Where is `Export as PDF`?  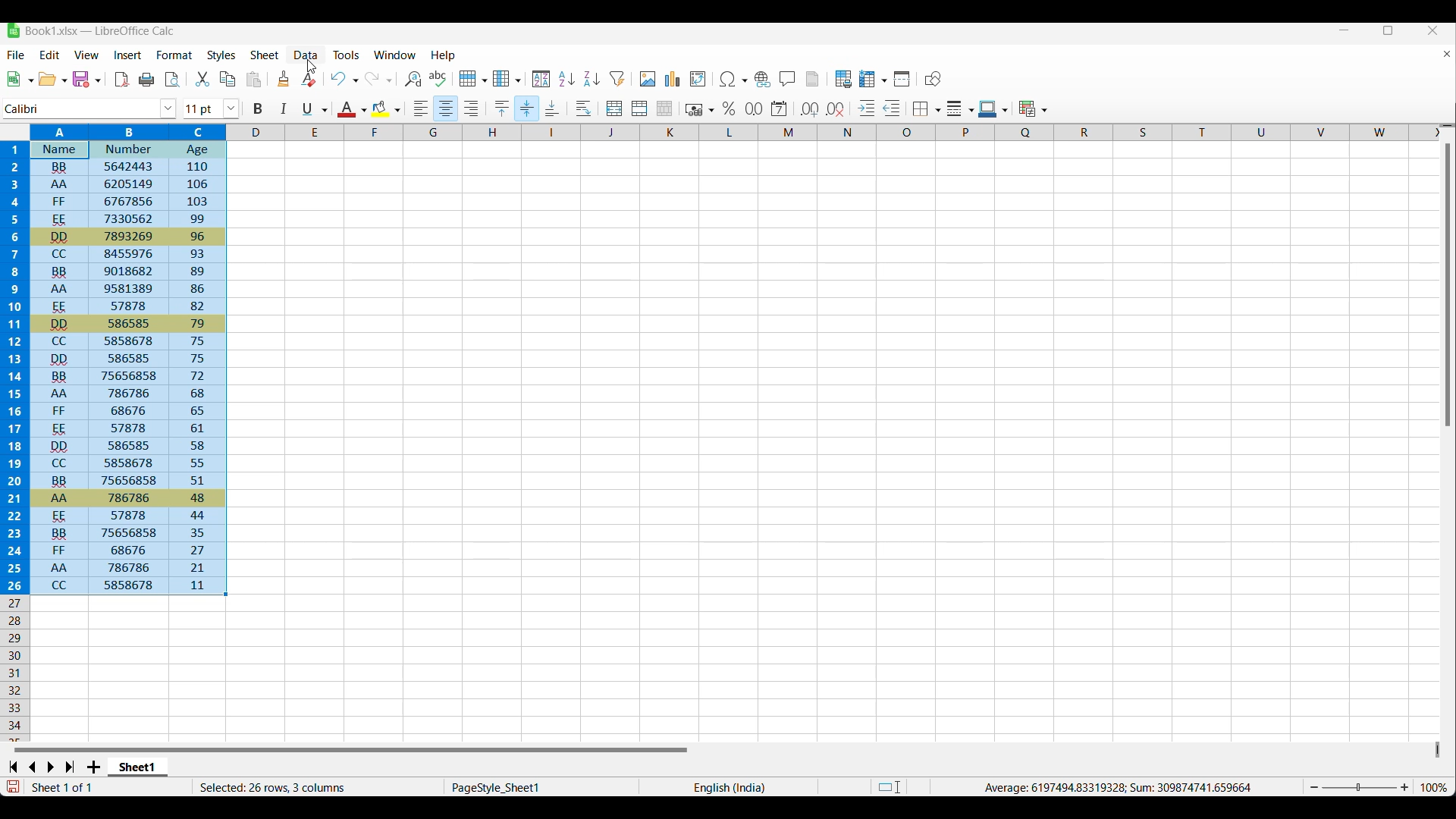 Export as PDF is located at coordinates (123, 80).